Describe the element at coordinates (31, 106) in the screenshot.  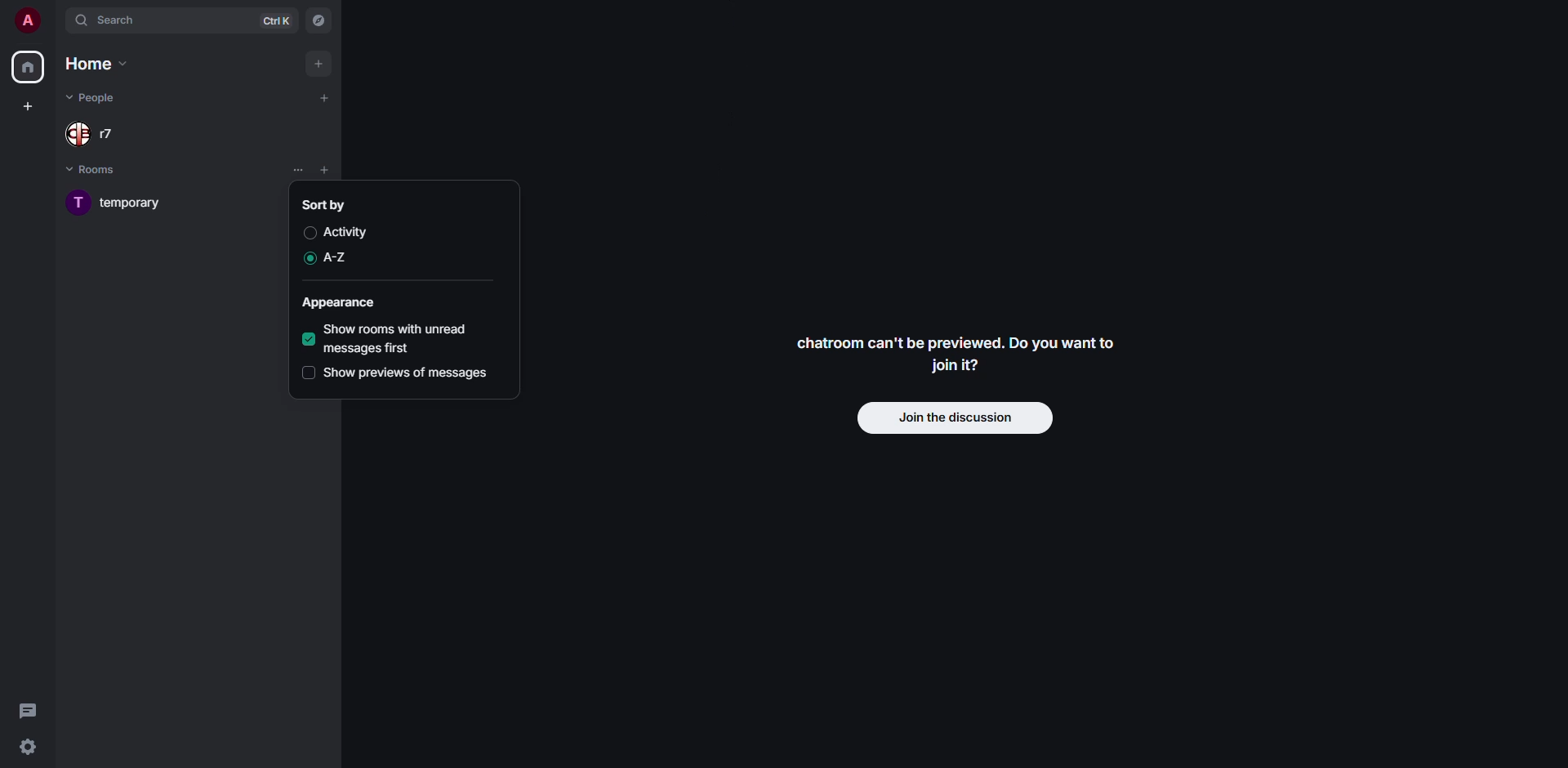
I see `create space` at that location.